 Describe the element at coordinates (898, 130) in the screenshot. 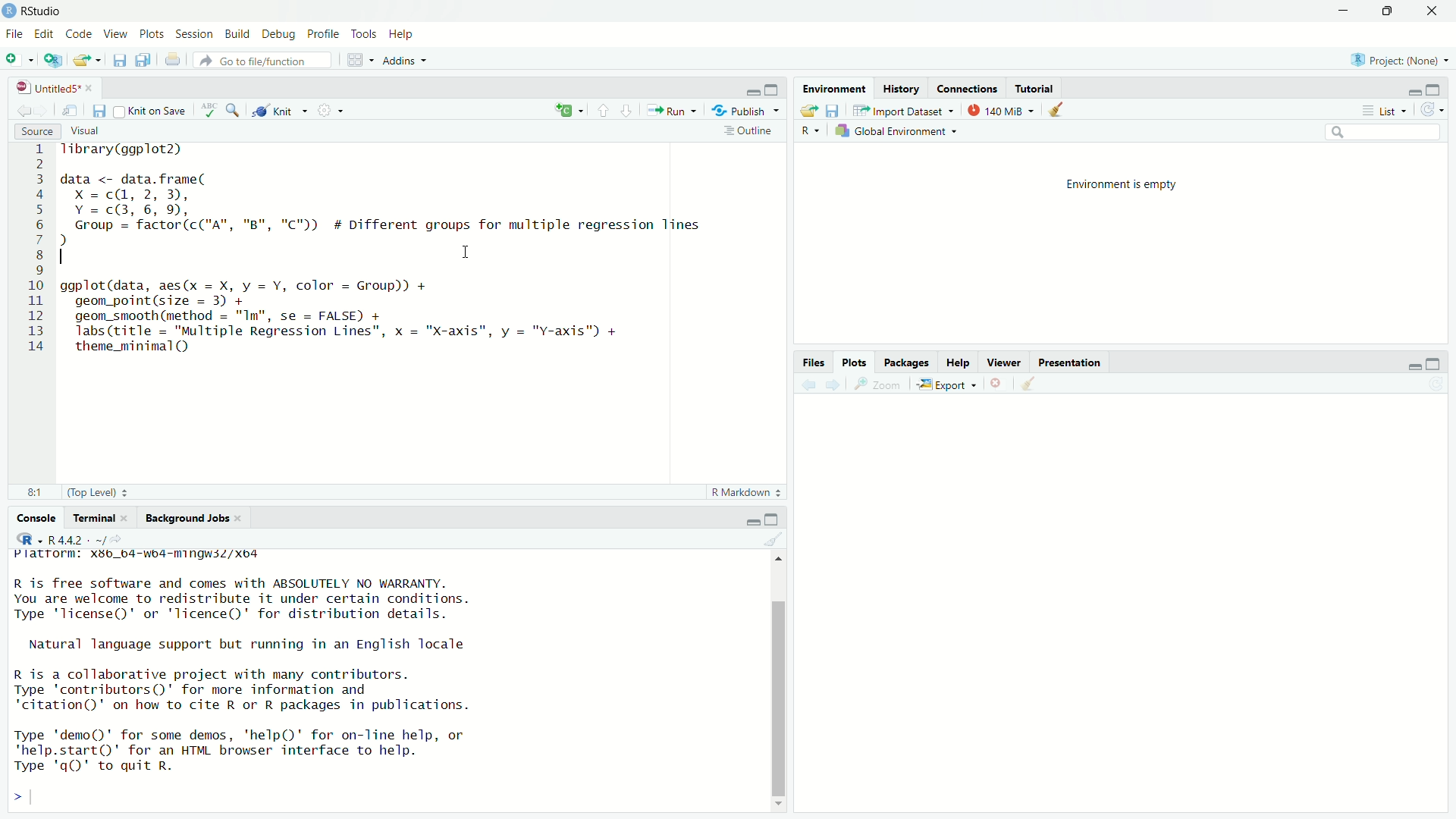

I see `Global Environment ~` at that location.